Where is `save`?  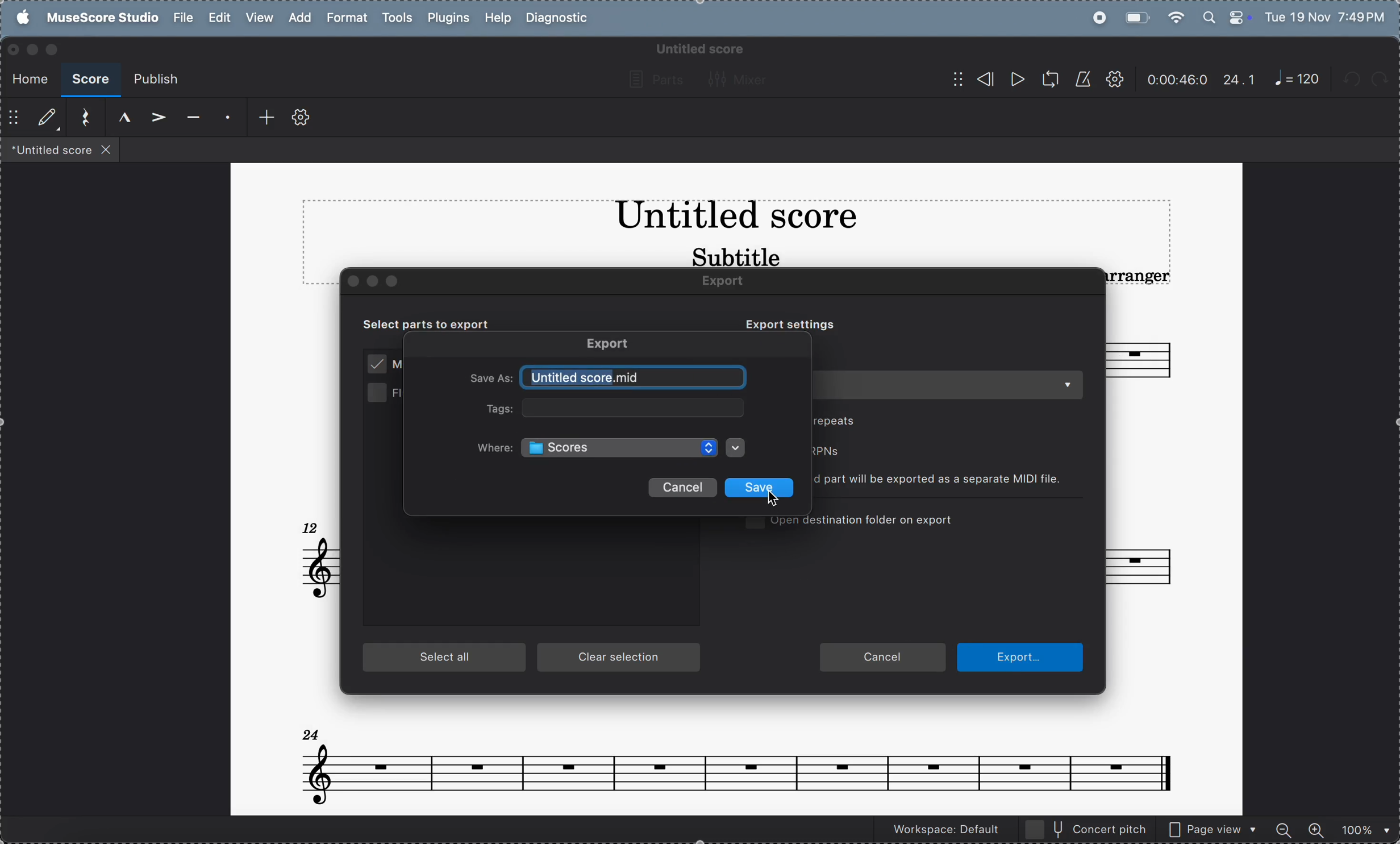
save is located at coordinates (761, 488).